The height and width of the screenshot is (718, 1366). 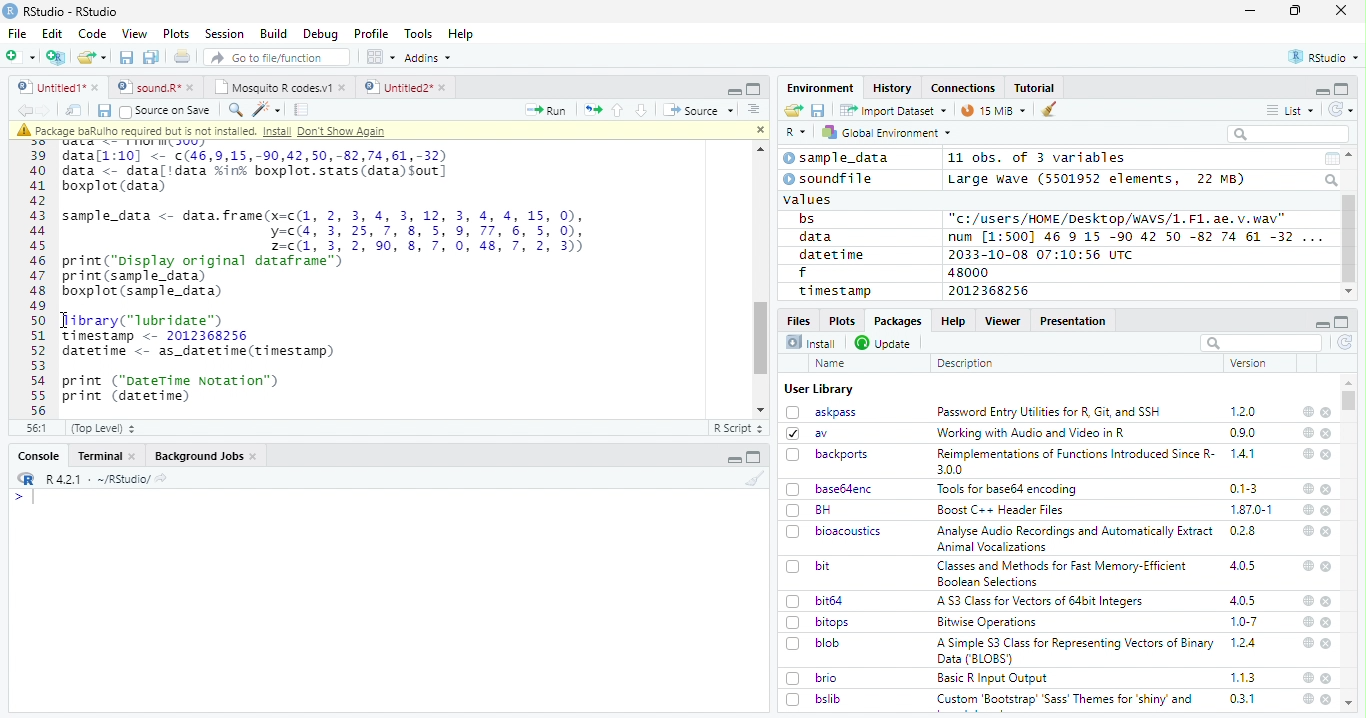 What do you see at coordinates (1327, 623) in the screenshot?
I see `close` at bounding box center [1327, 623].